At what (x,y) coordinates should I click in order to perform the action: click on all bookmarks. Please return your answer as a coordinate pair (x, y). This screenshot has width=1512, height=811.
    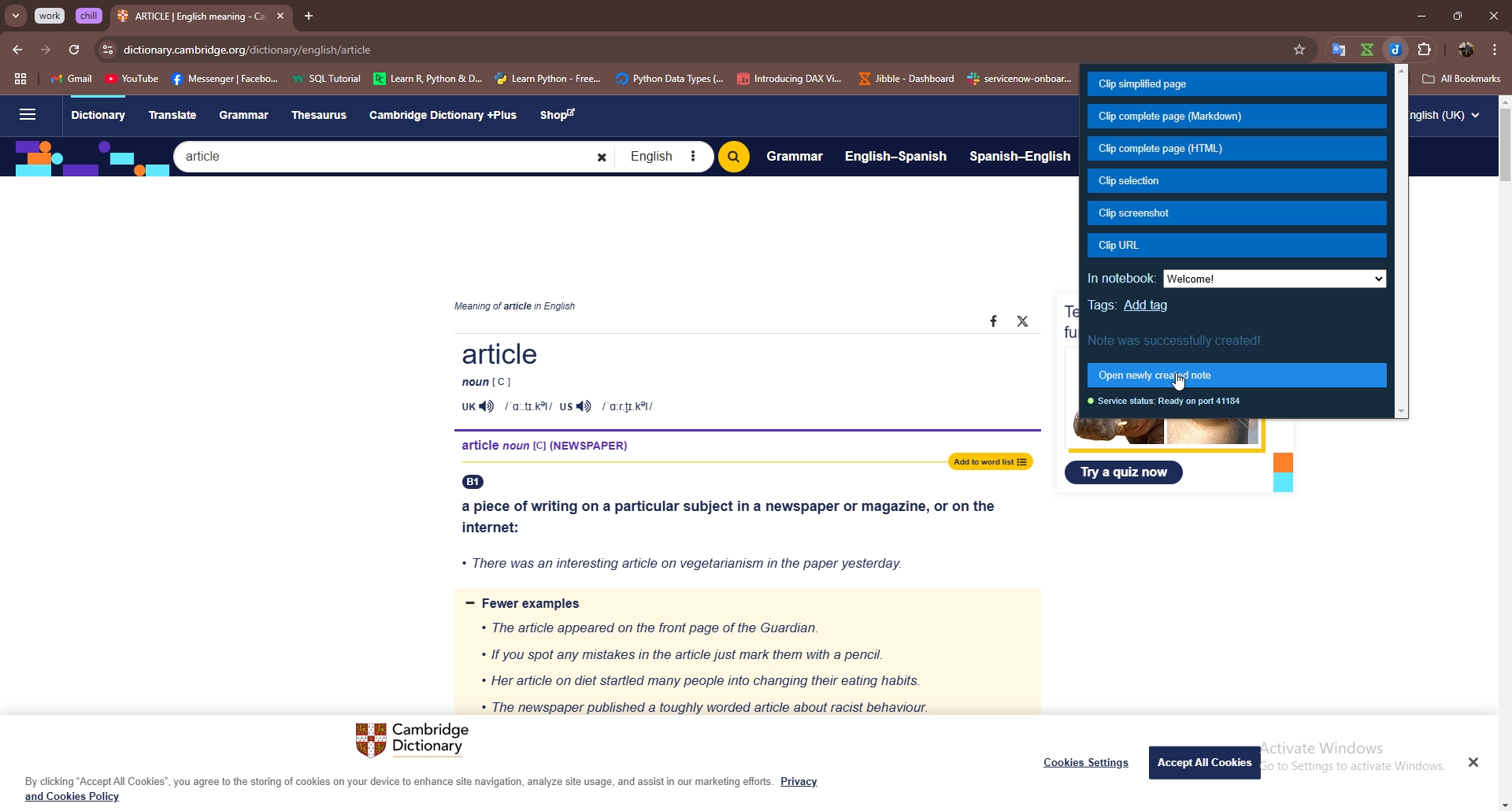
    Looking at the image, I should click on (1462, 79).